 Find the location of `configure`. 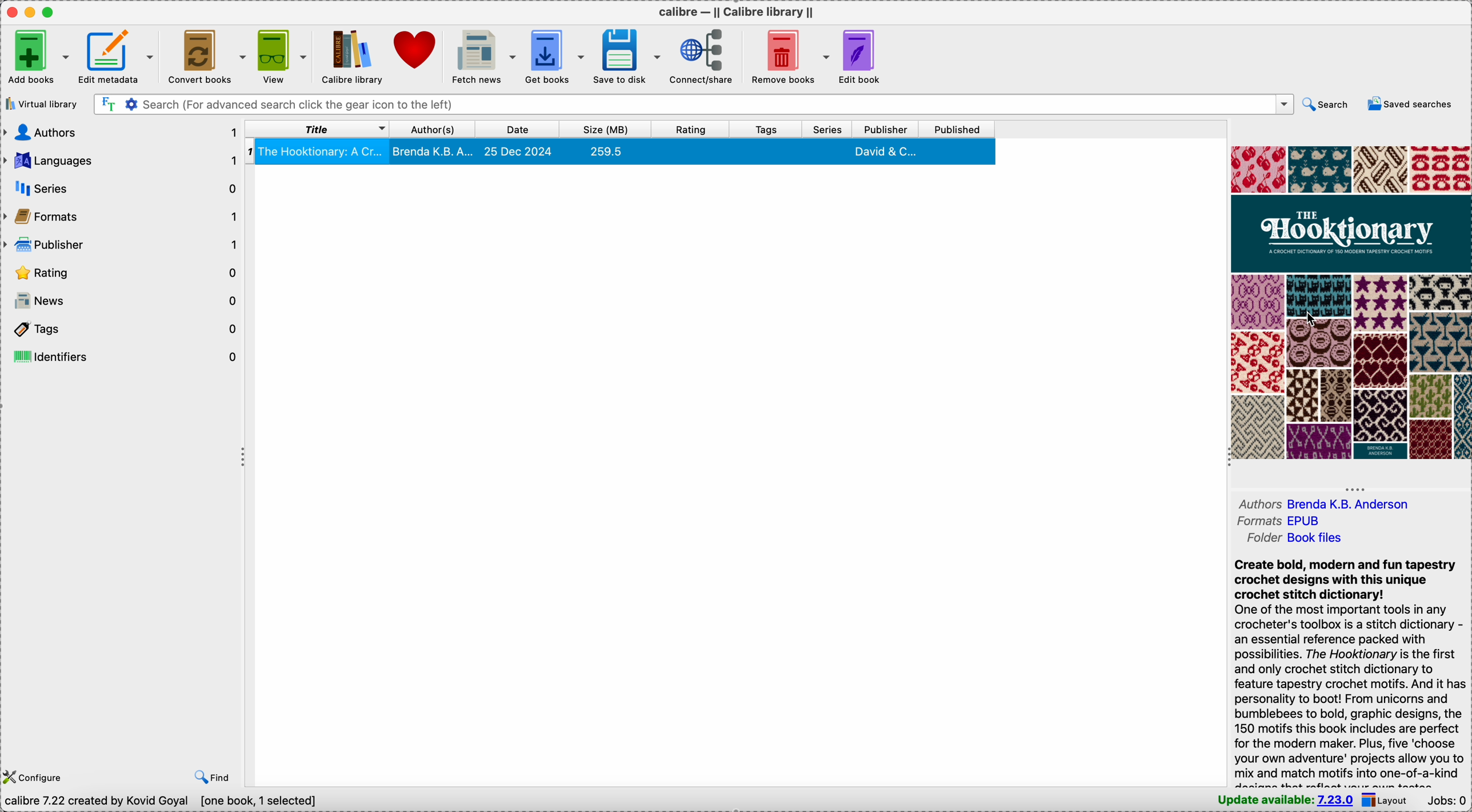

configure is located at coordinates (37, 776).